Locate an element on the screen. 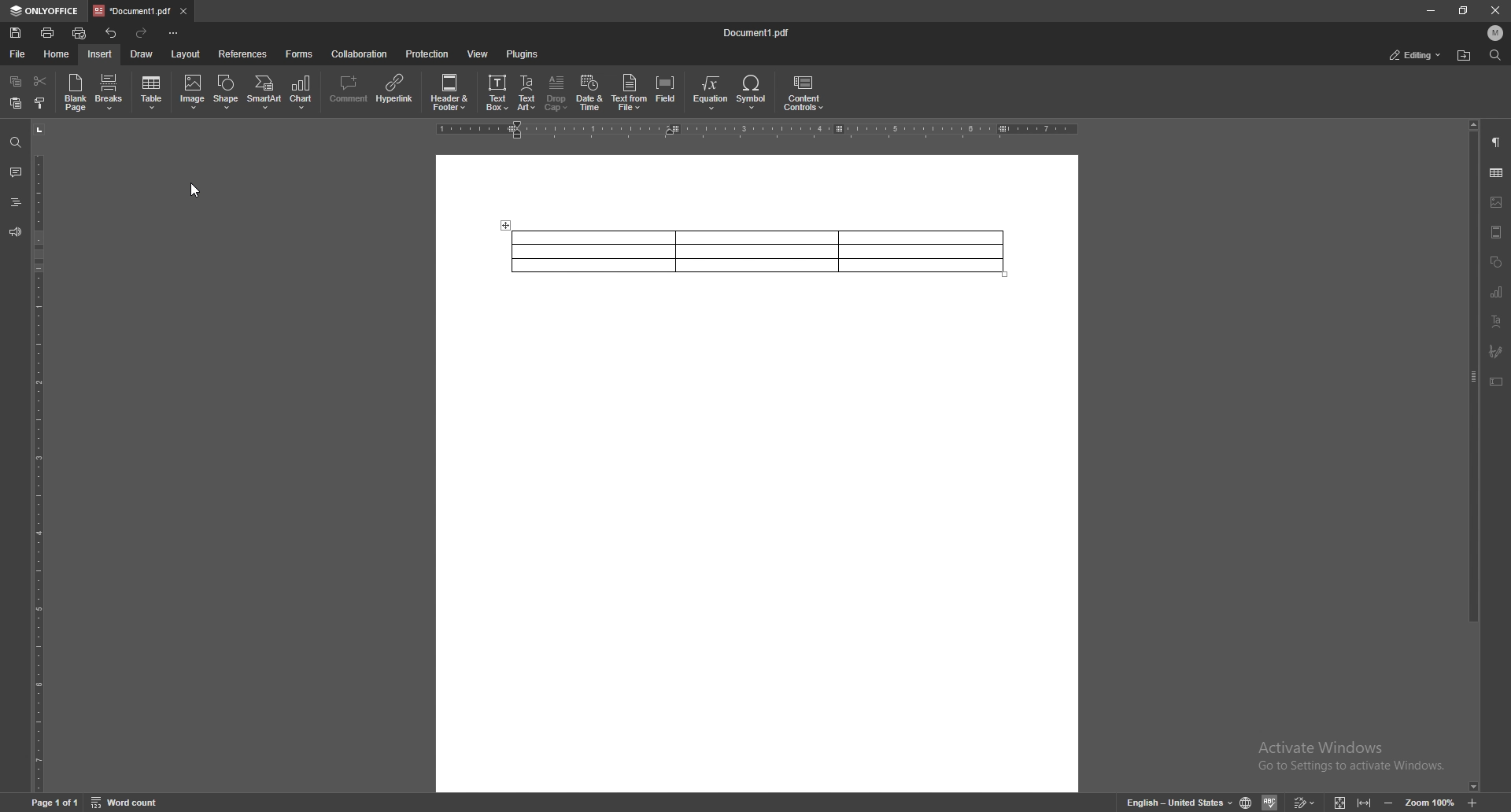 The image size is (1511, 812). table is located at coordinates (1498, 172).